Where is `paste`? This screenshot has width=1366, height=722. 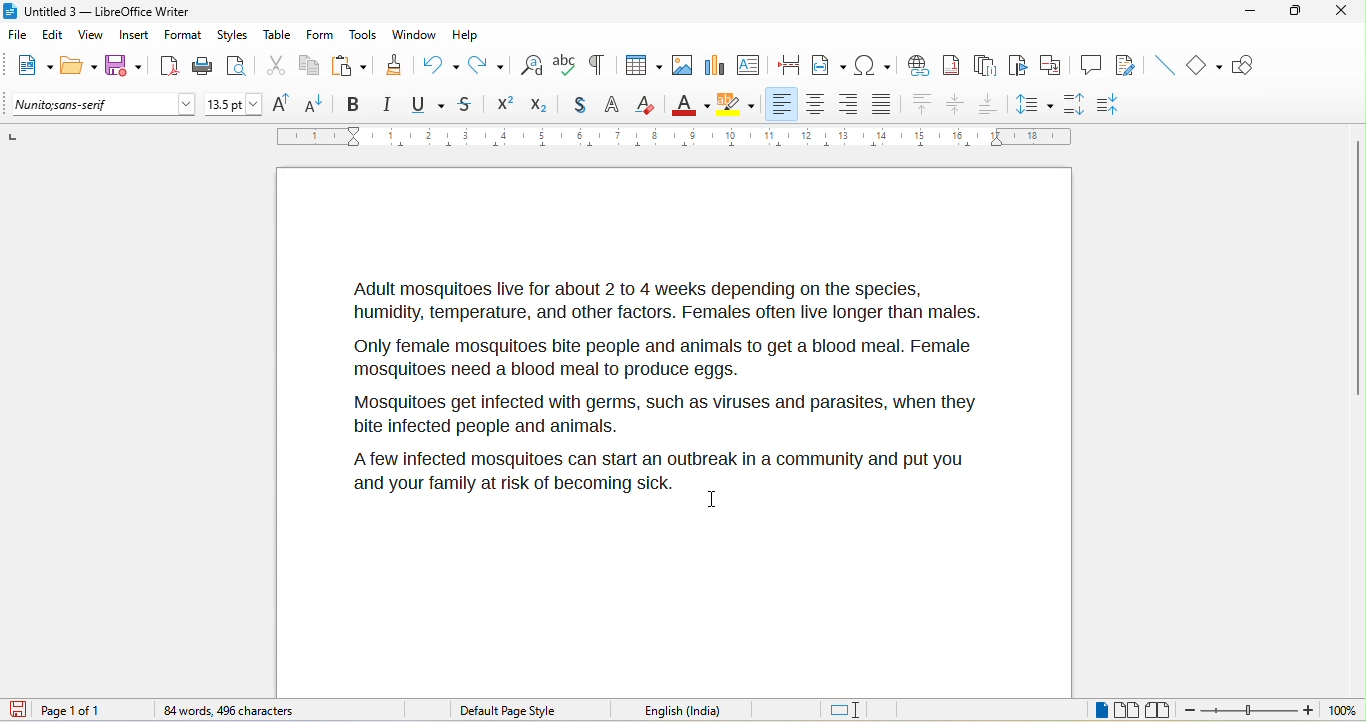
paste is located at coordinates (349, 66).